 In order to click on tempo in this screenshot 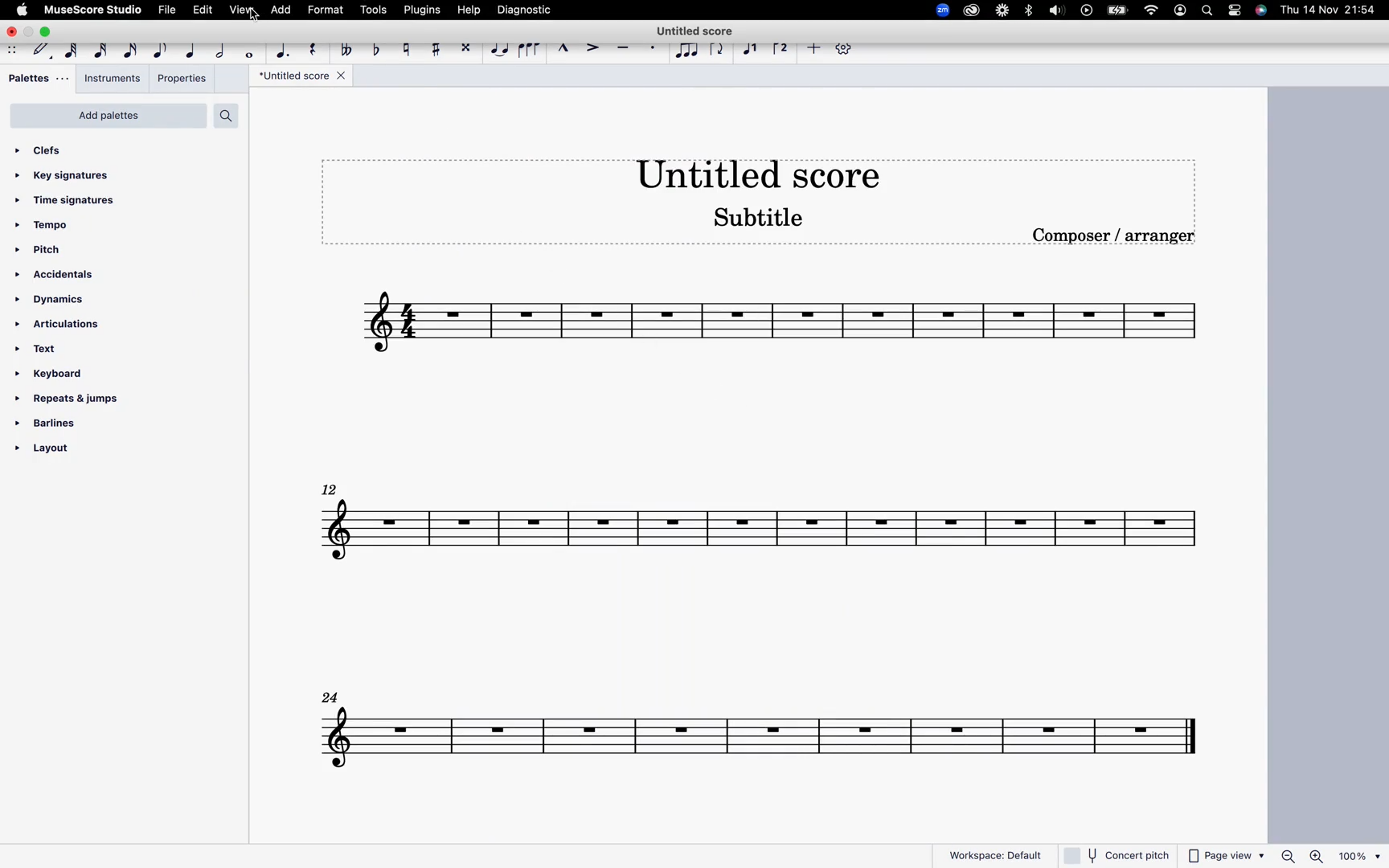, I will do `click(49, 226)`.